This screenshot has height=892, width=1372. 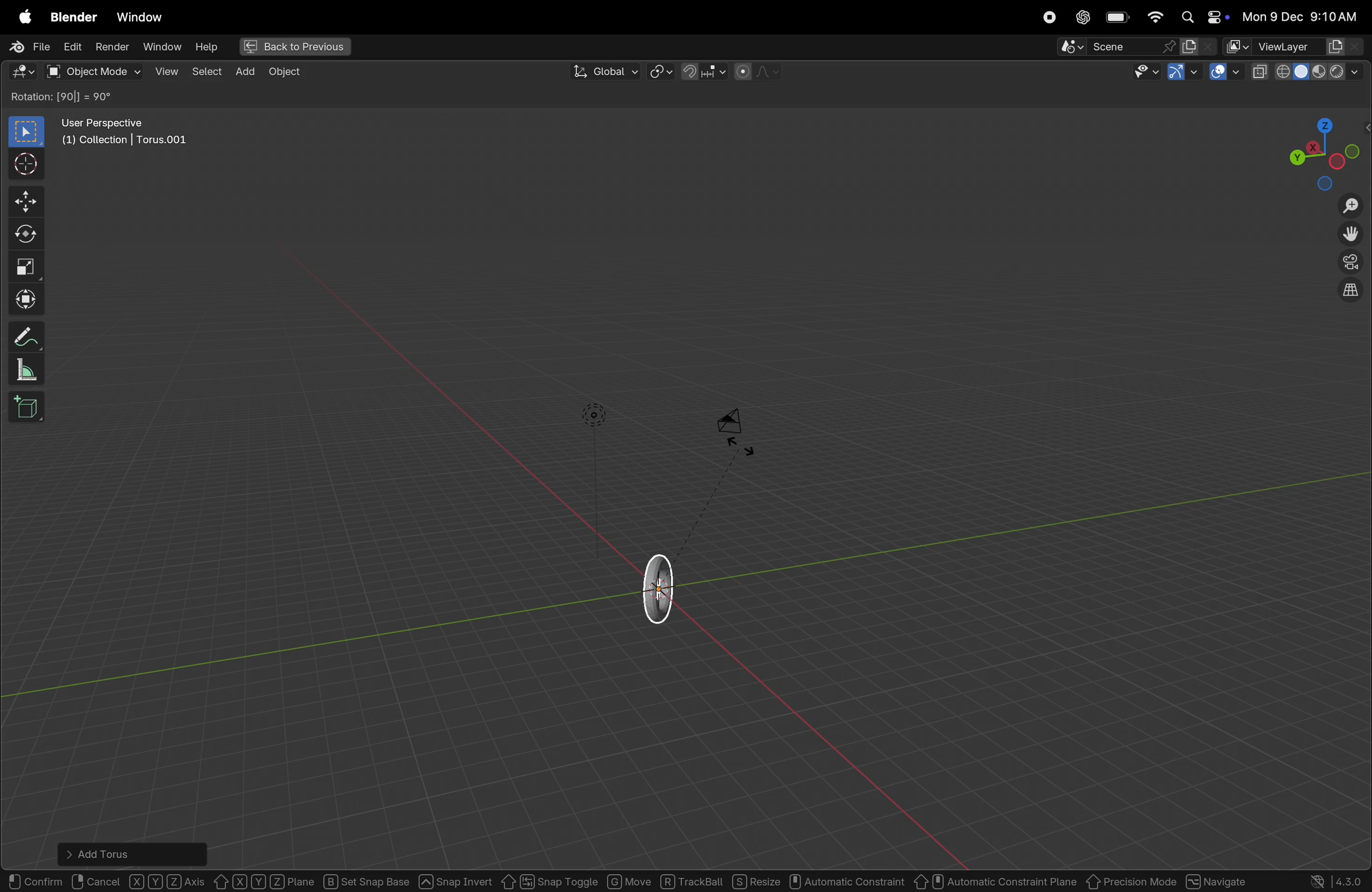 I want to click on torus, so click(x=663, y=586).